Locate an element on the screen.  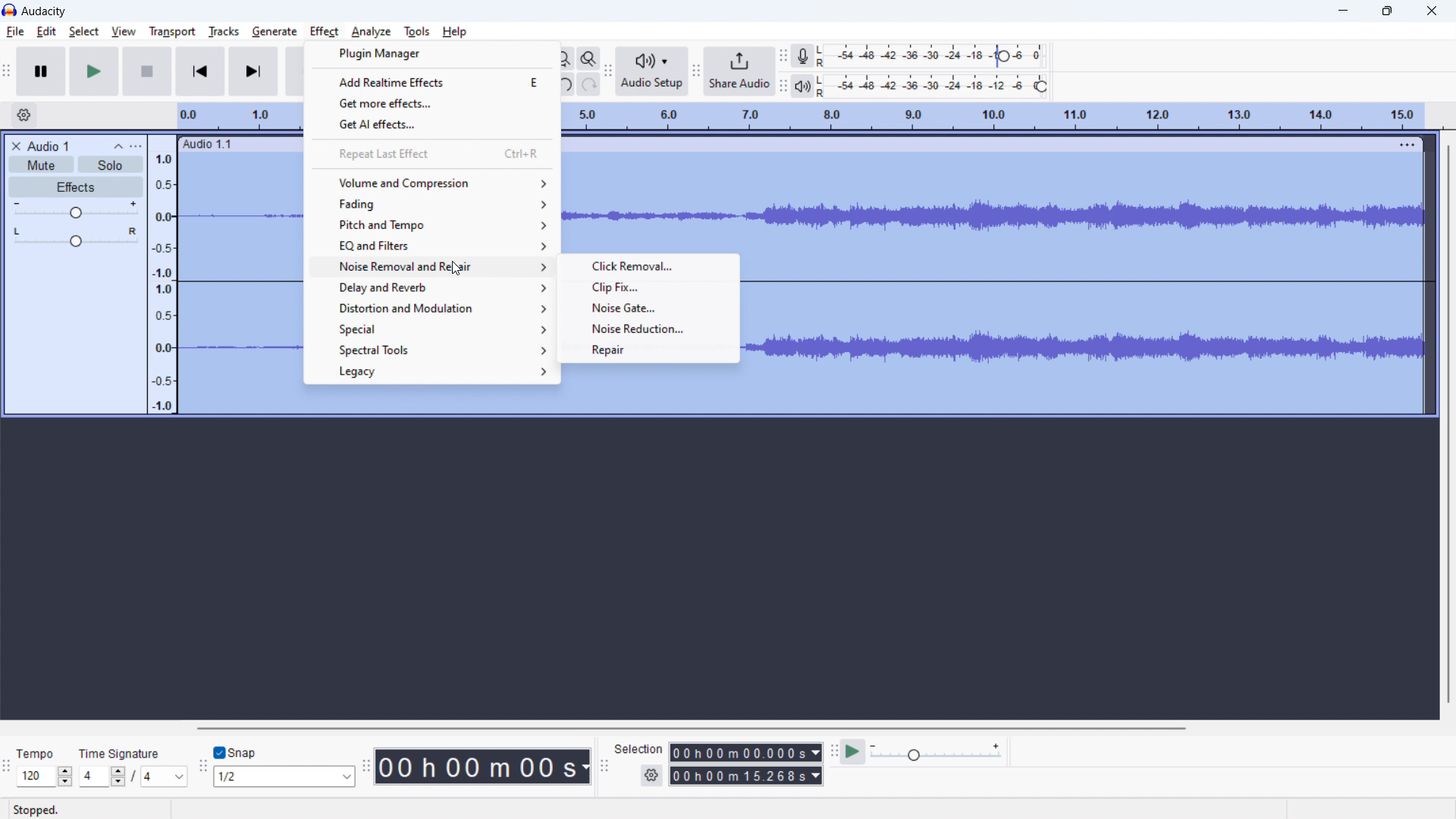
solo is located at coordinates (111, 165).